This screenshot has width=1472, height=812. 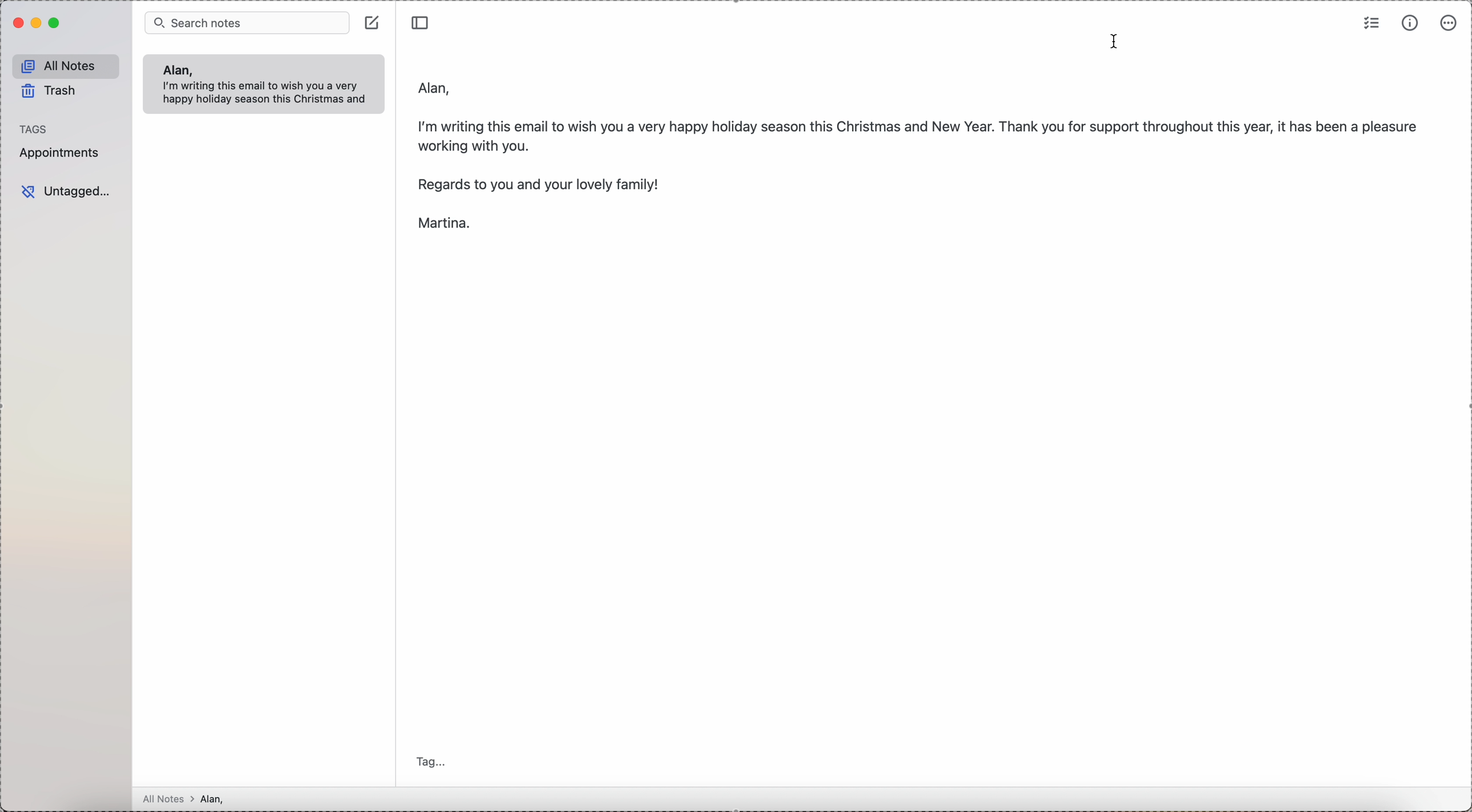 What do you see at coordinates (540, 185) in the screenshot?
I see `regards` at bounding box center [540, 185].